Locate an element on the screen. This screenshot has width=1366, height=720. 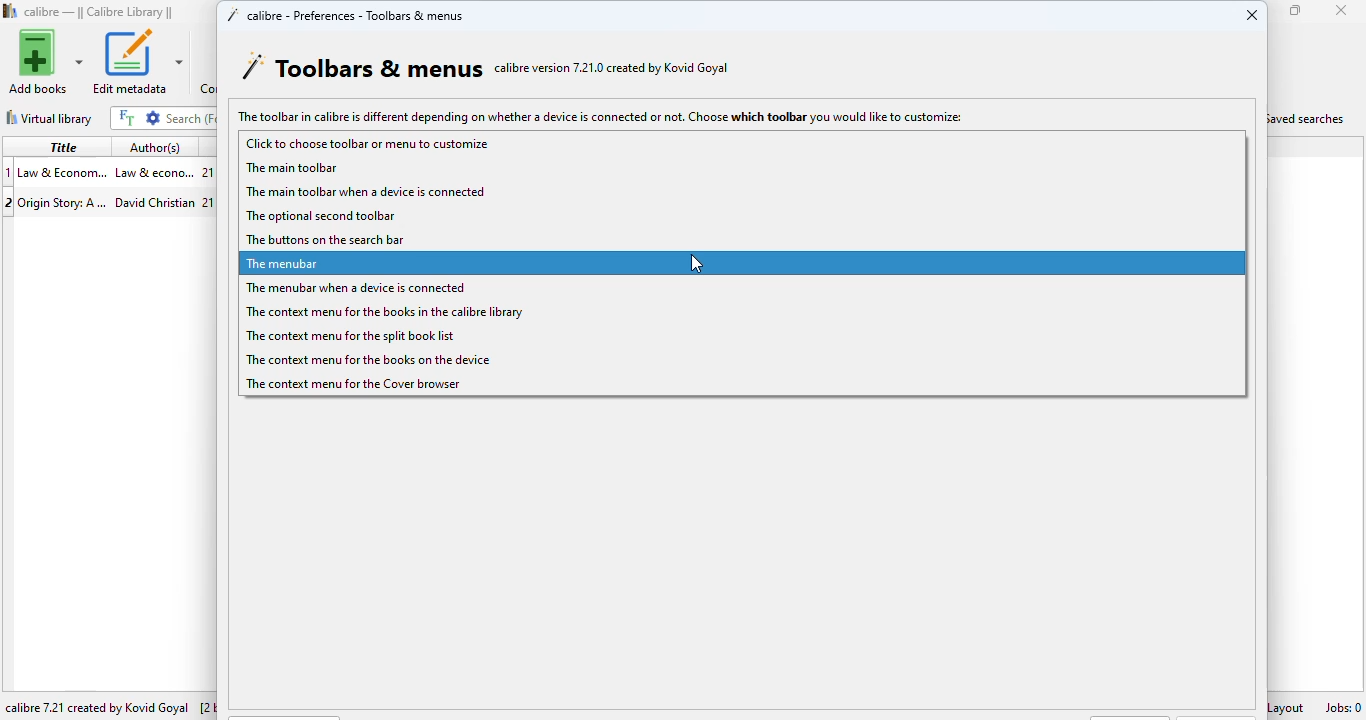
the context menu for the books on the device is located at coordinates (368, 360).